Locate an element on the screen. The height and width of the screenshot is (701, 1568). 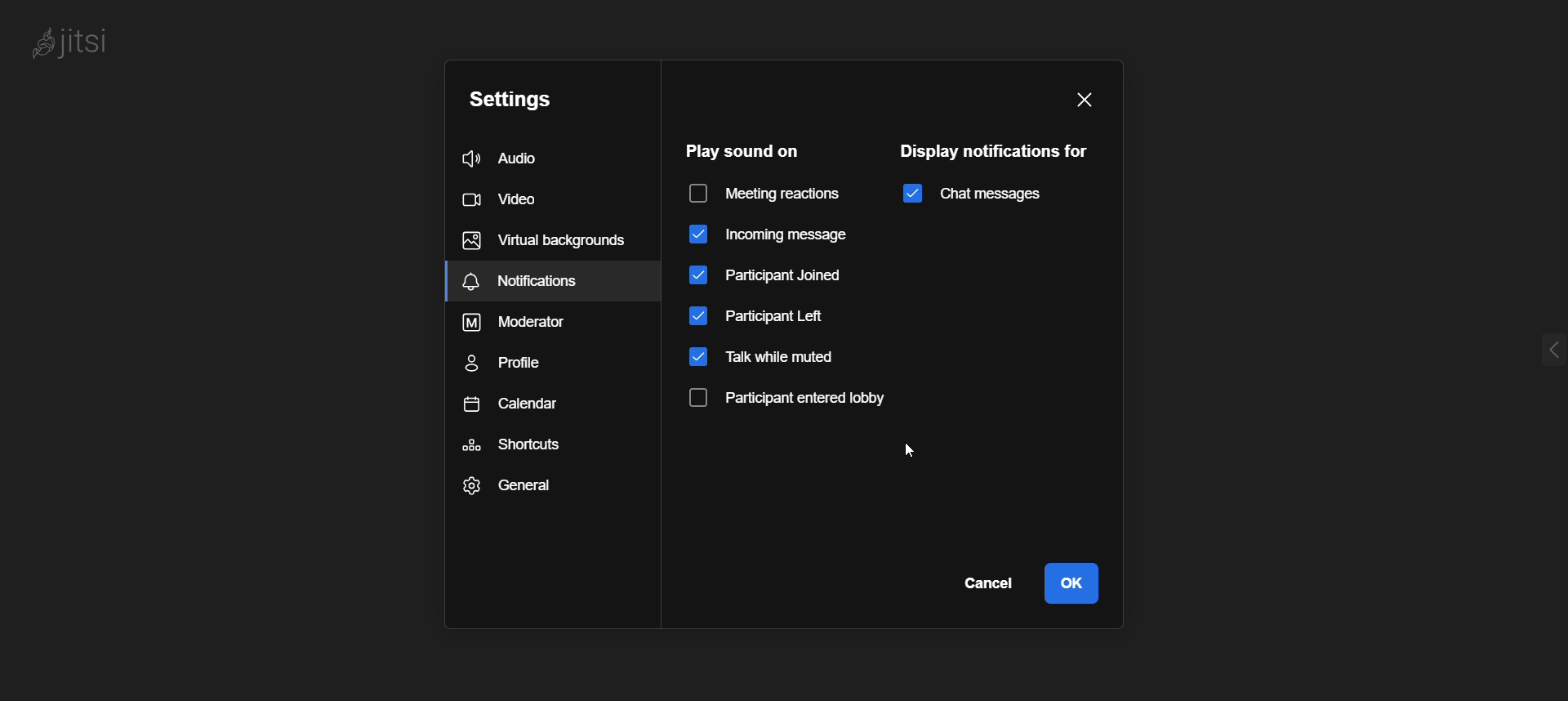
Settings is located at coordinates (539, 103).